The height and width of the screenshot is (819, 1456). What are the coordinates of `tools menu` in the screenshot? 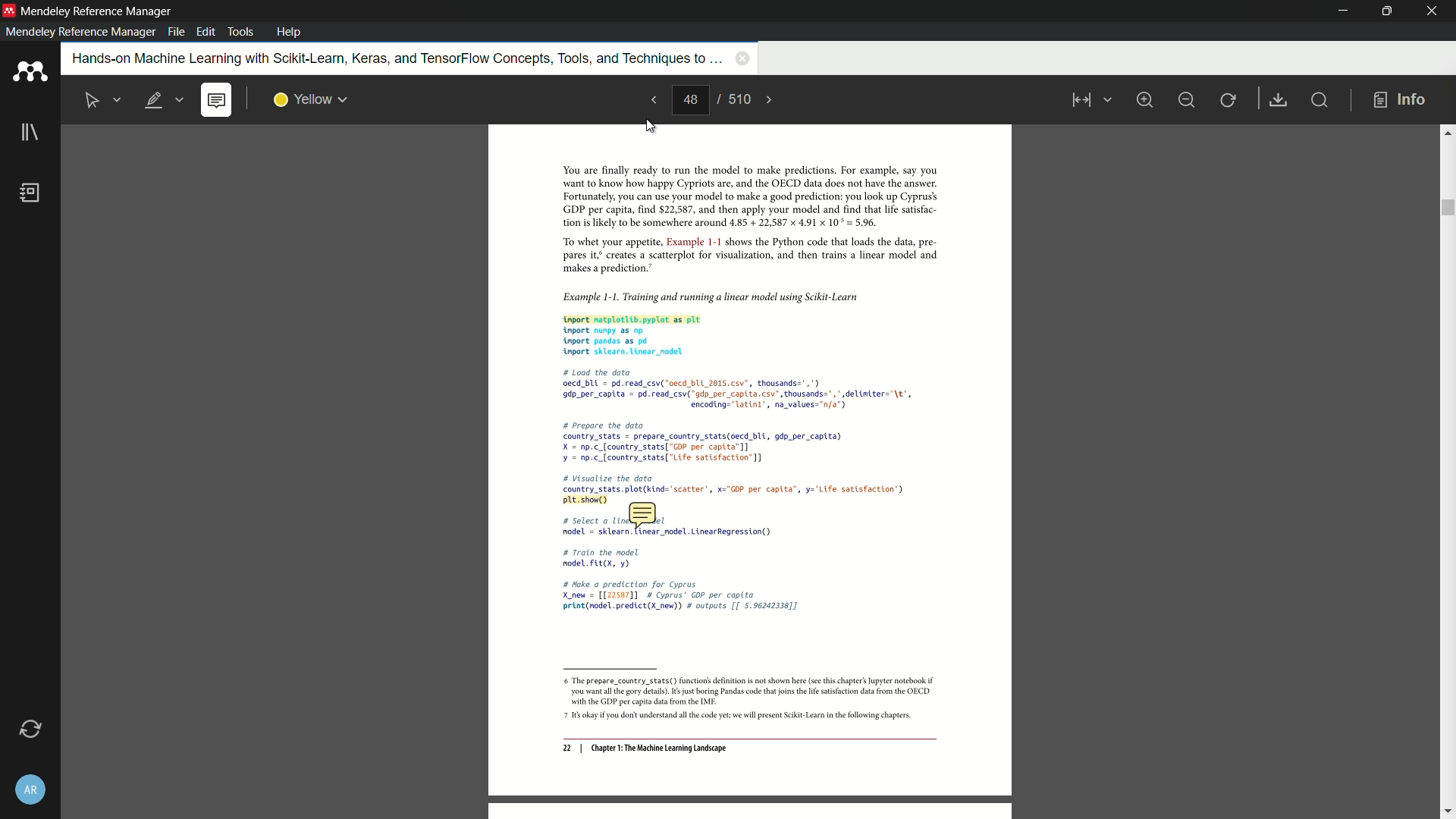 It's located at (240, 32).